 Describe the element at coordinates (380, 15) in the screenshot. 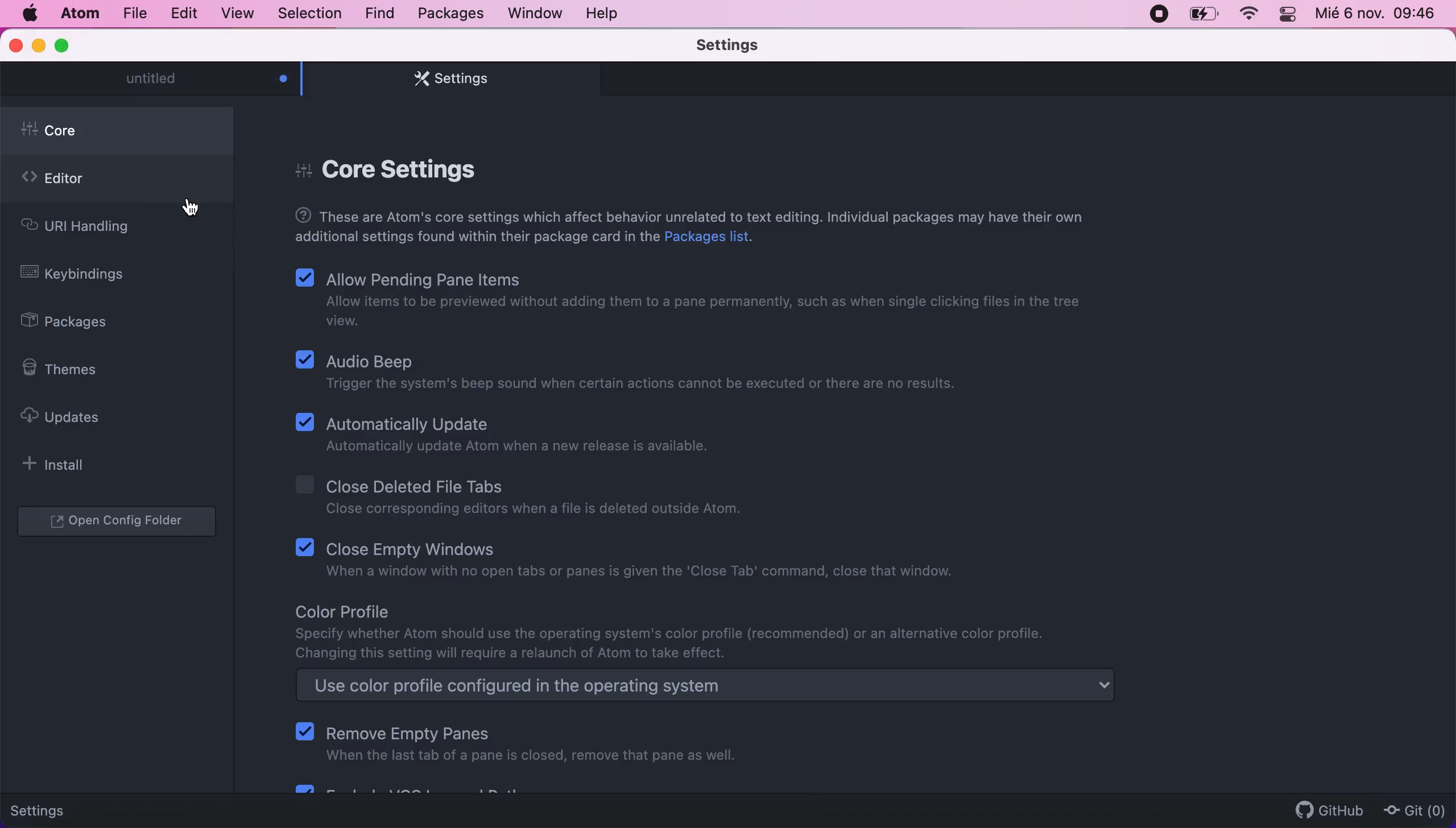

I see `find` at that location.